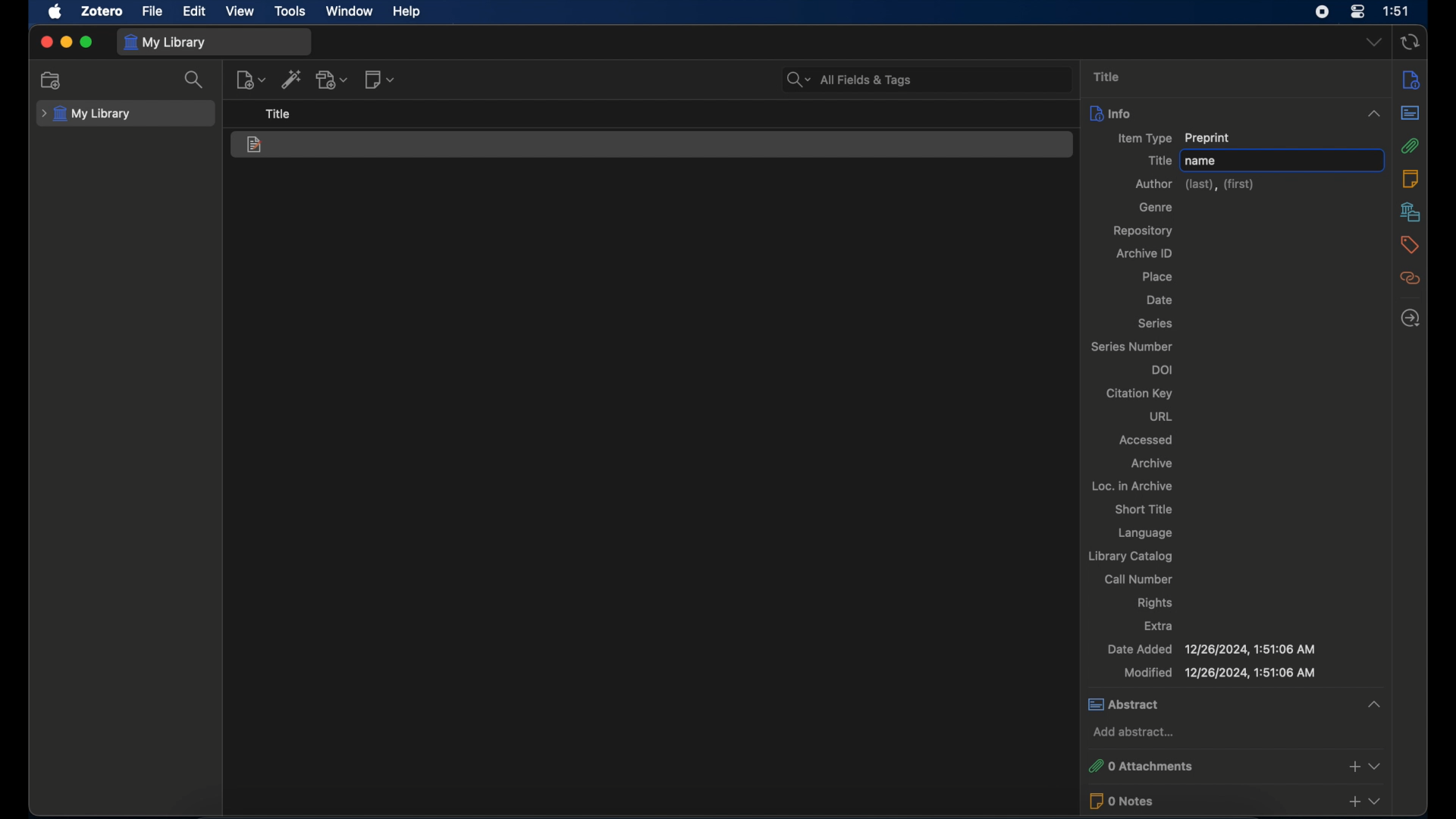  Describe the element at coordinates (1174, 138) in the screenshot. I see `item type  preprint` at that location.